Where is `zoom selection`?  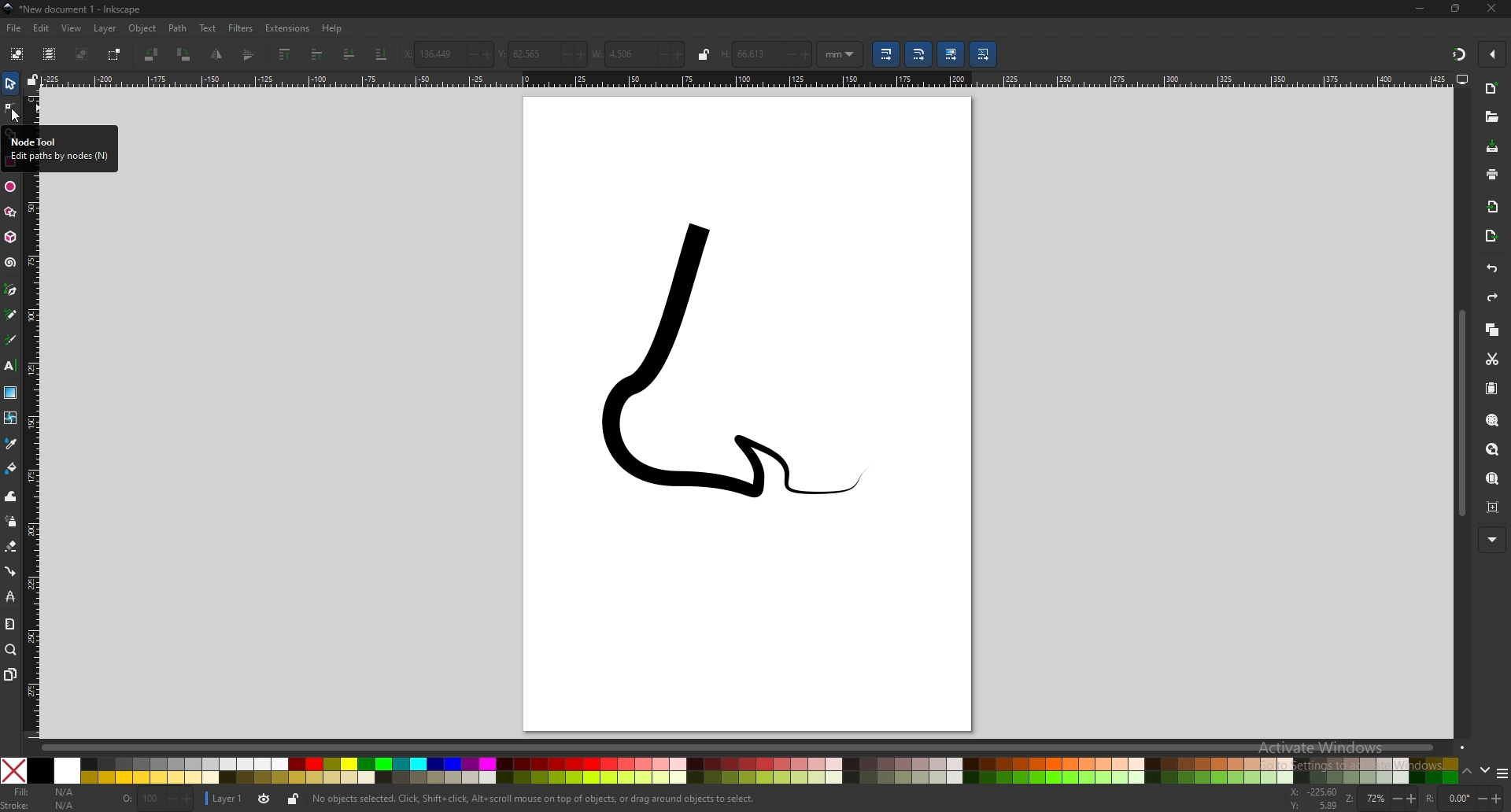
zoom selection is located at coordinates (1491, 420).